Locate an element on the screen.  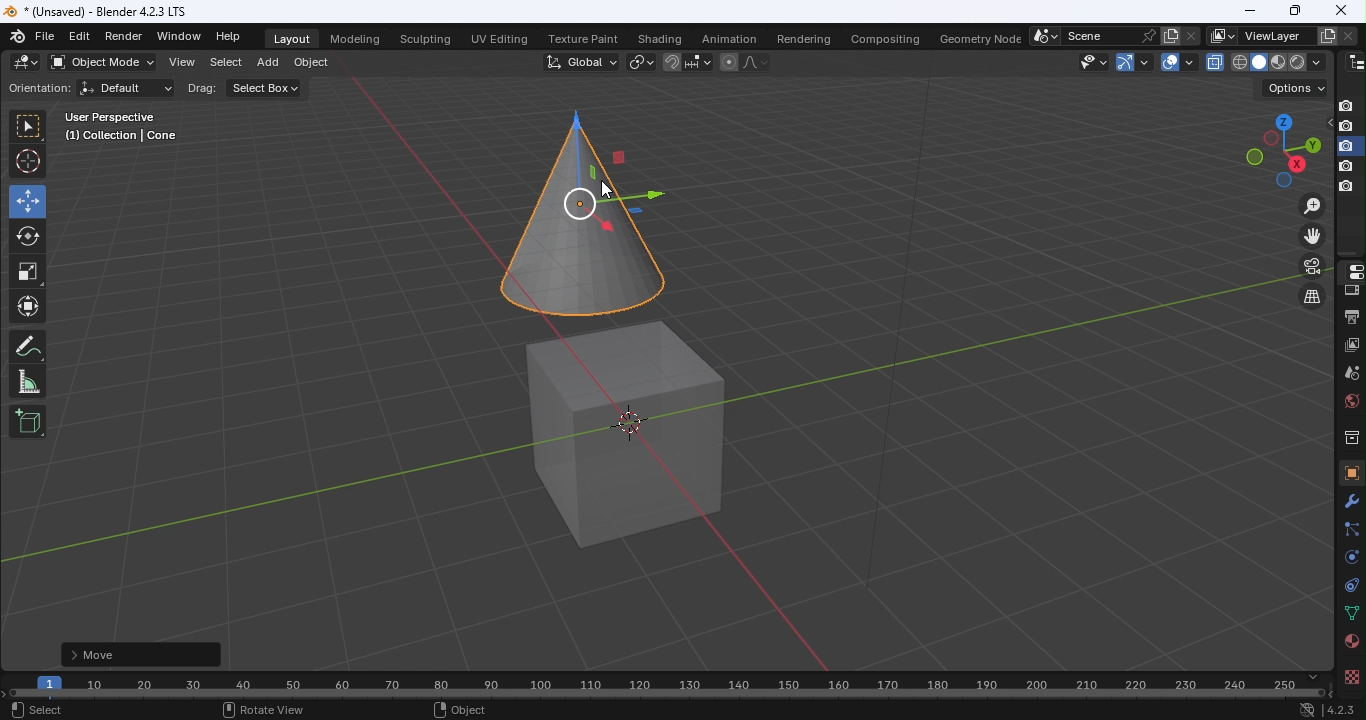
Animation is located at coordinates (723, 38).